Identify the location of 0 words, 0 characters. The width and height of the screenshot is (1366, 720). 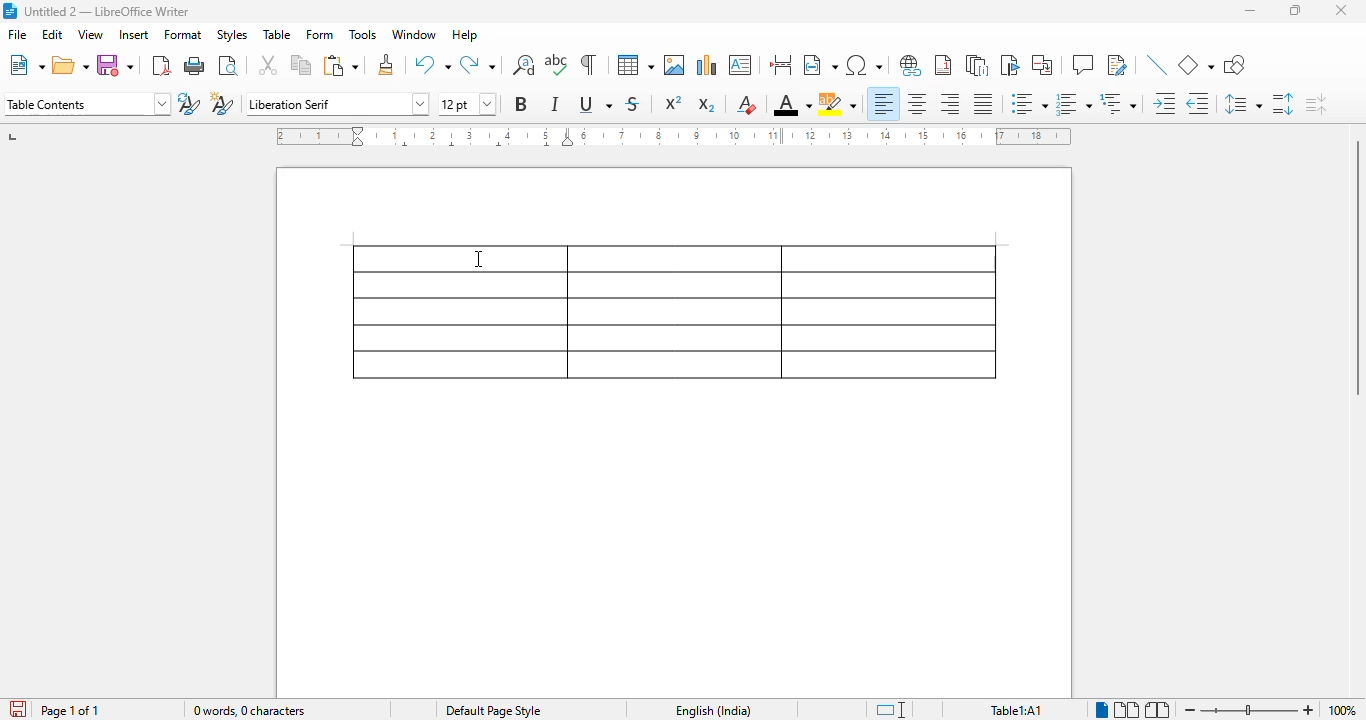
(248, 709).